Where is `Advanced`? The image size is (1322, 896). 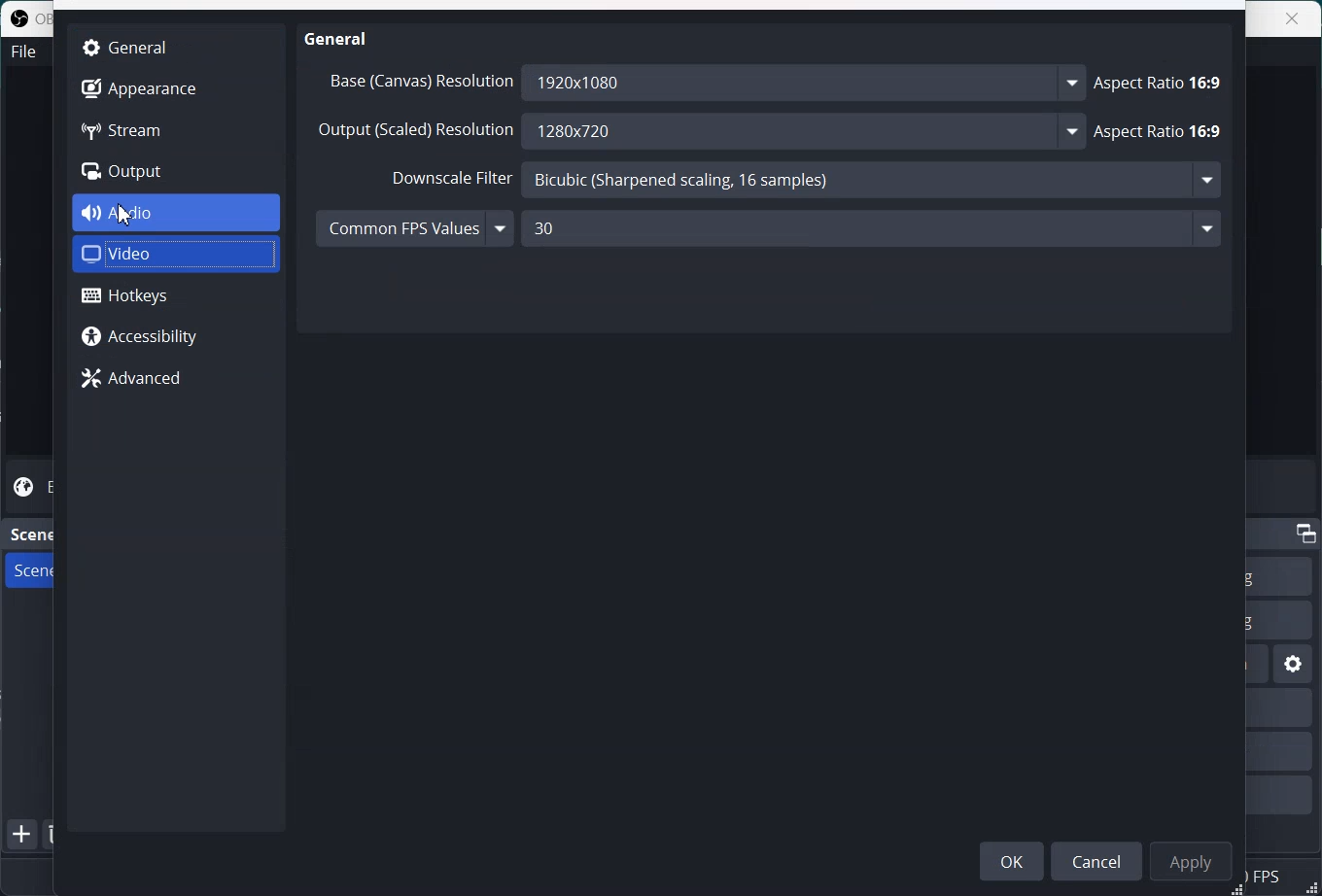 Advanced is located at coordinates (175, 377).